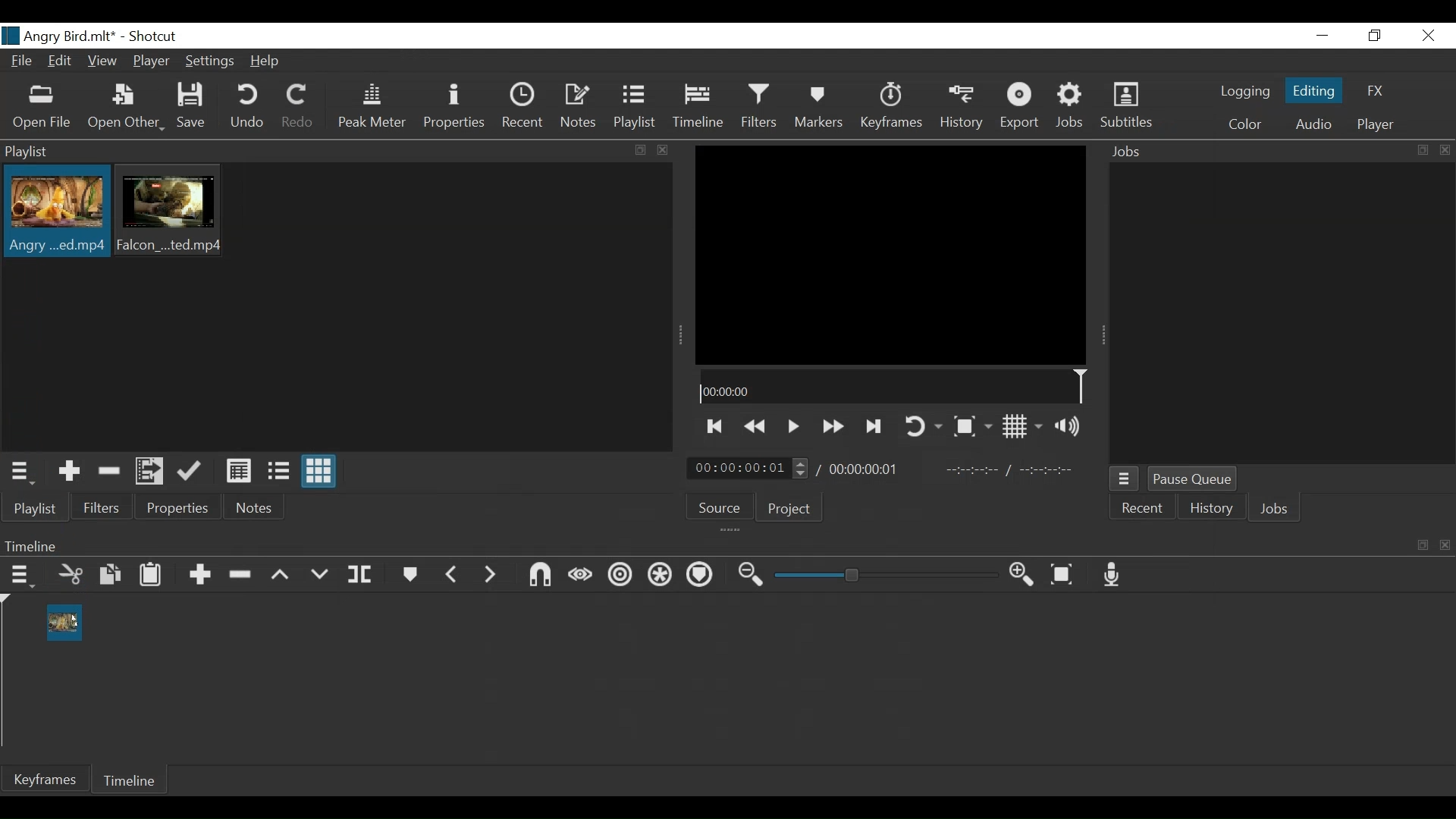 This screenshot has height=819, width=1456. What do you see at coordinates (890, 255) in the screenshot?
I see `Media Viewer` at bounding box center [890, 255].